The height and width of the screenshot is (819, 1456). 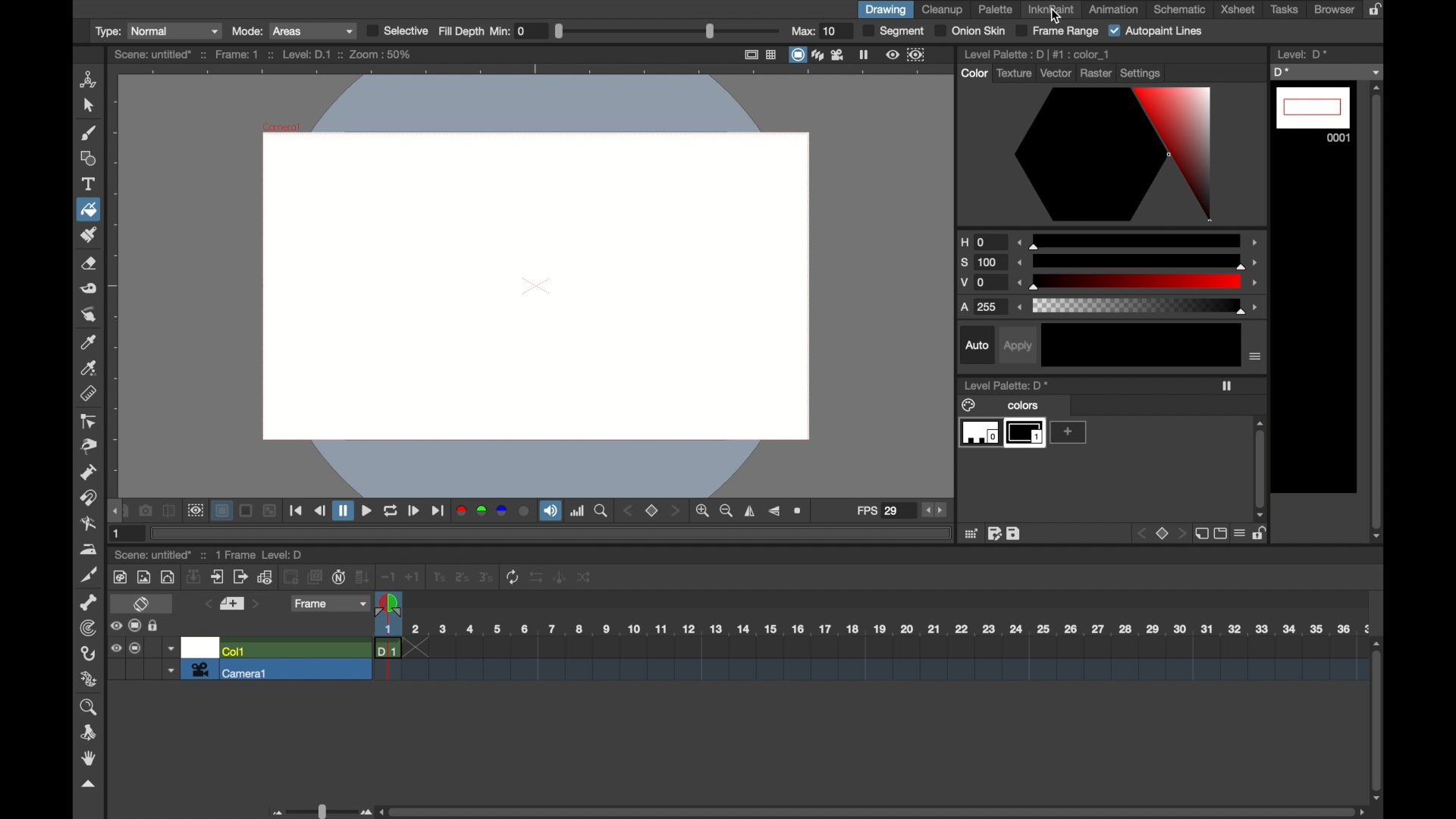 What do you see at coordinates (89, 289) in the screenshot?
I see `tape tool` at bounding box center [89, 289].